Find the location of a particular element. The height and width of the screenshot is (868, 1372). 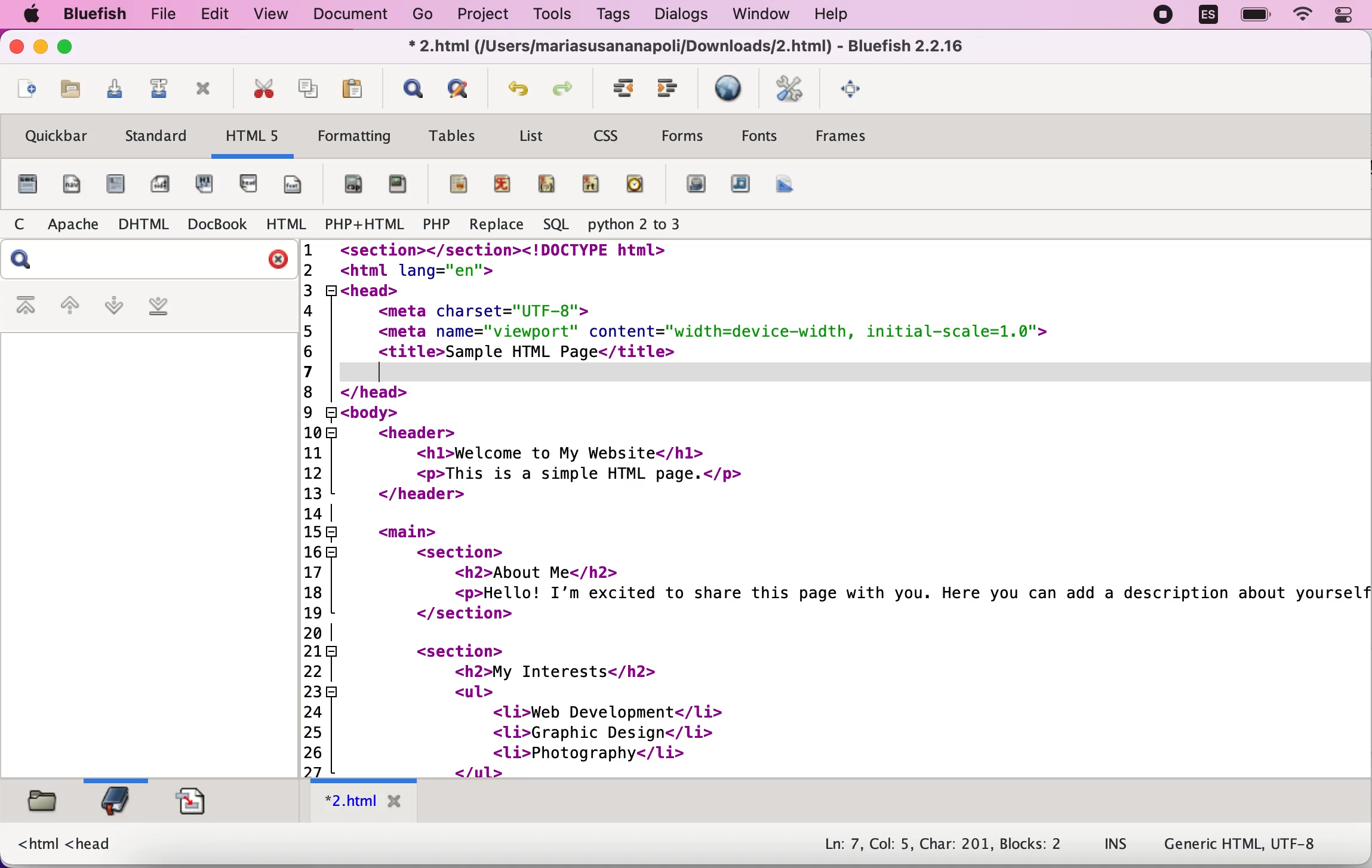

document is located at coordinates (348, 16).